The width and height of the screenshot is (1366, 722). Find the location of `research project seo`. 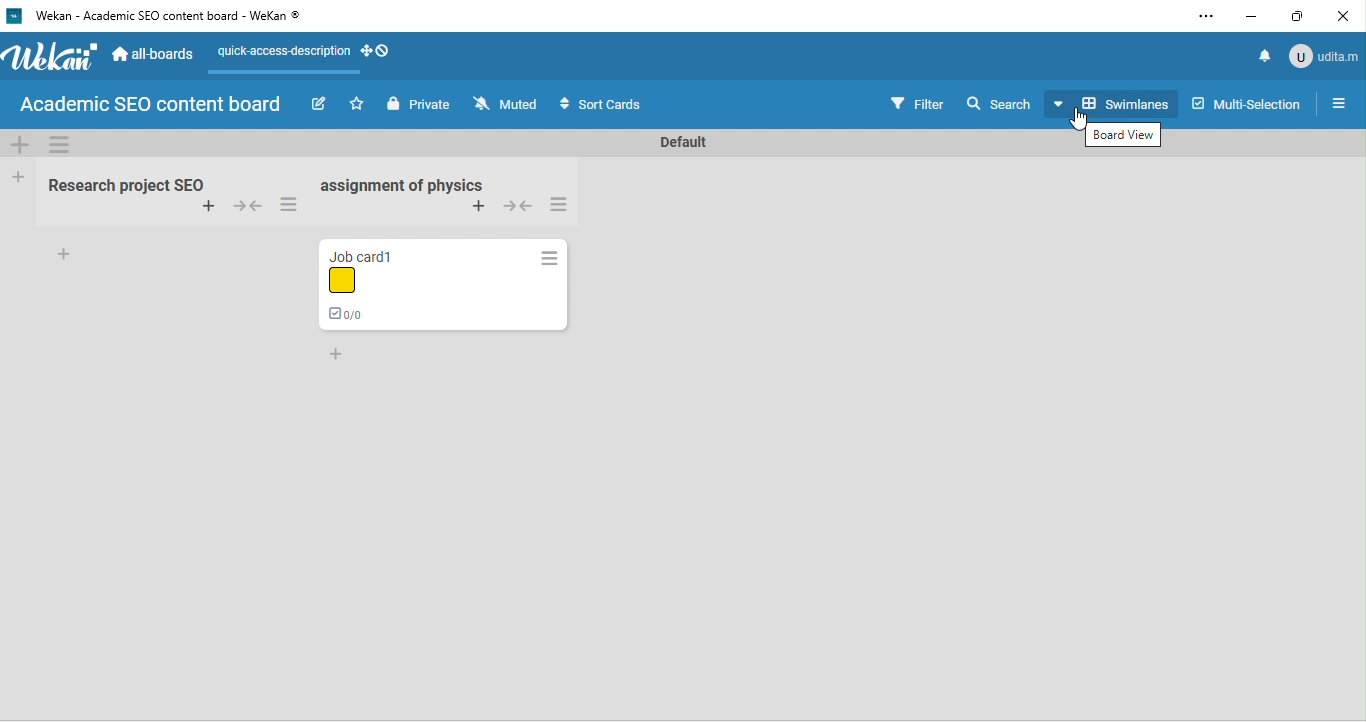

research project seo is located at coordinates (123, 182).